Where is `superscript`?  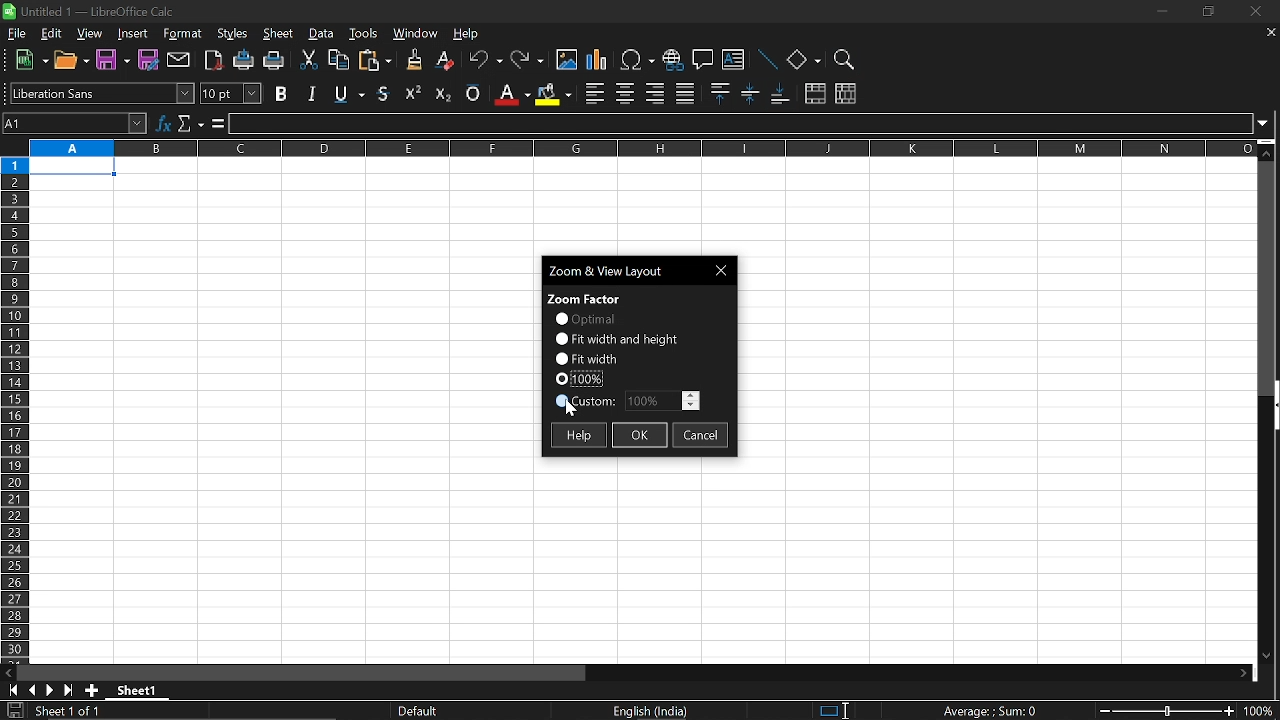 superscript is located at coordinates (414, 92).